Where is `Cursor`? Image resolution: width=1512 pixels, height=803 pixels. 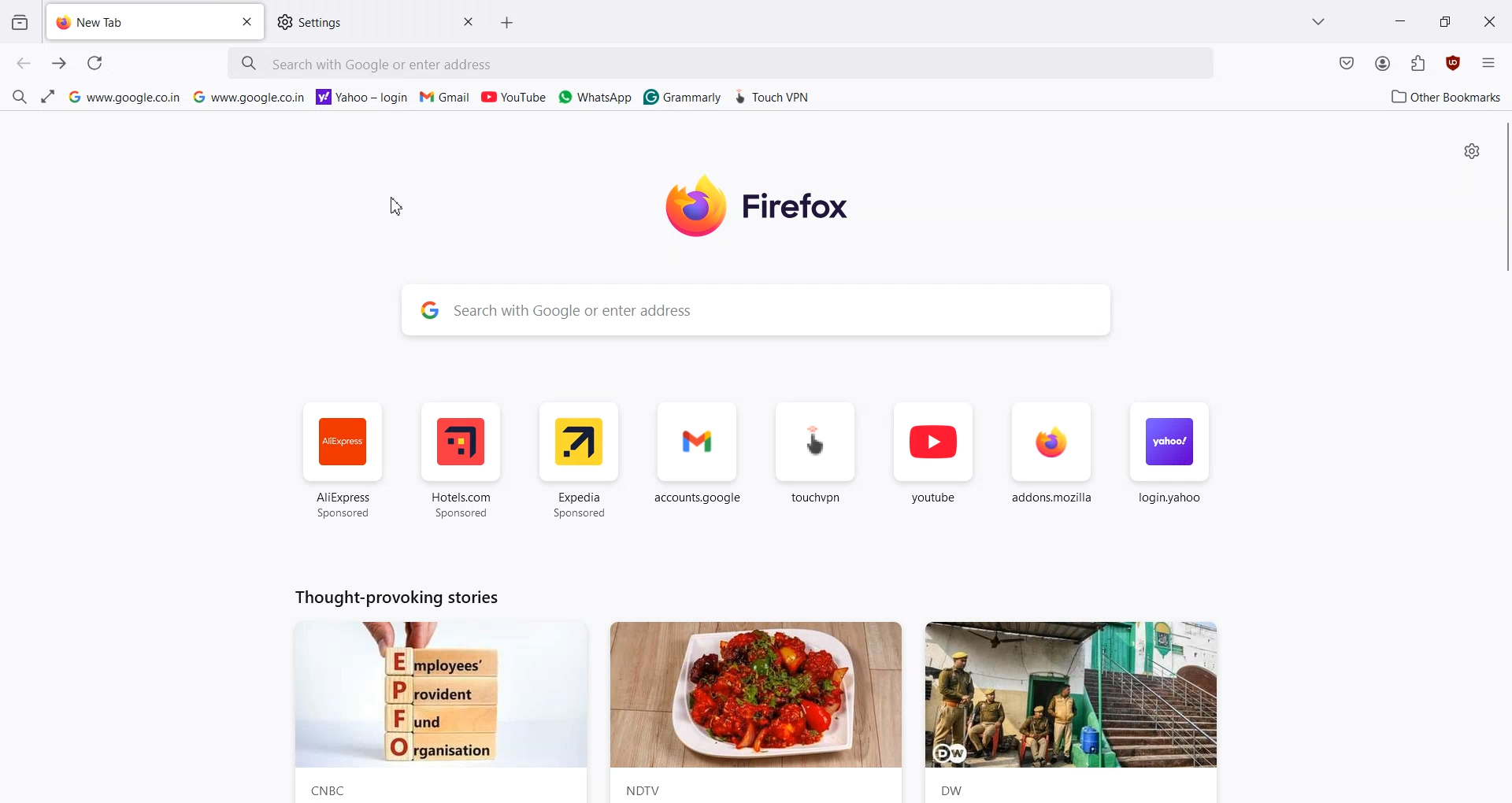 Cursor is located at coordinates (399, 207).